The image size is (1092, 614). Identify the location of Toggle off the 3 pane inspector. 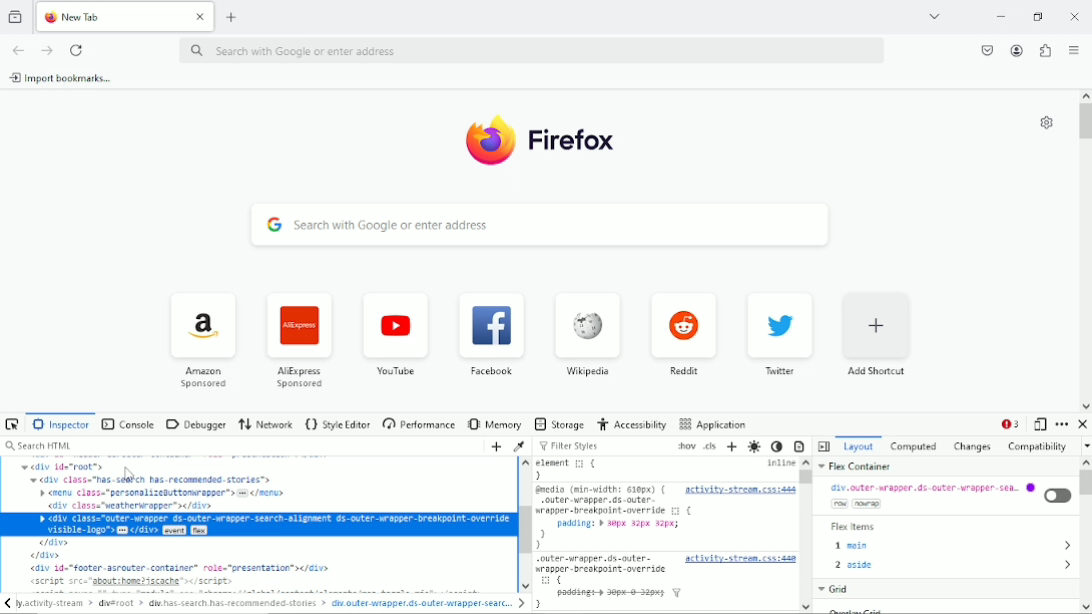
(824, 447).